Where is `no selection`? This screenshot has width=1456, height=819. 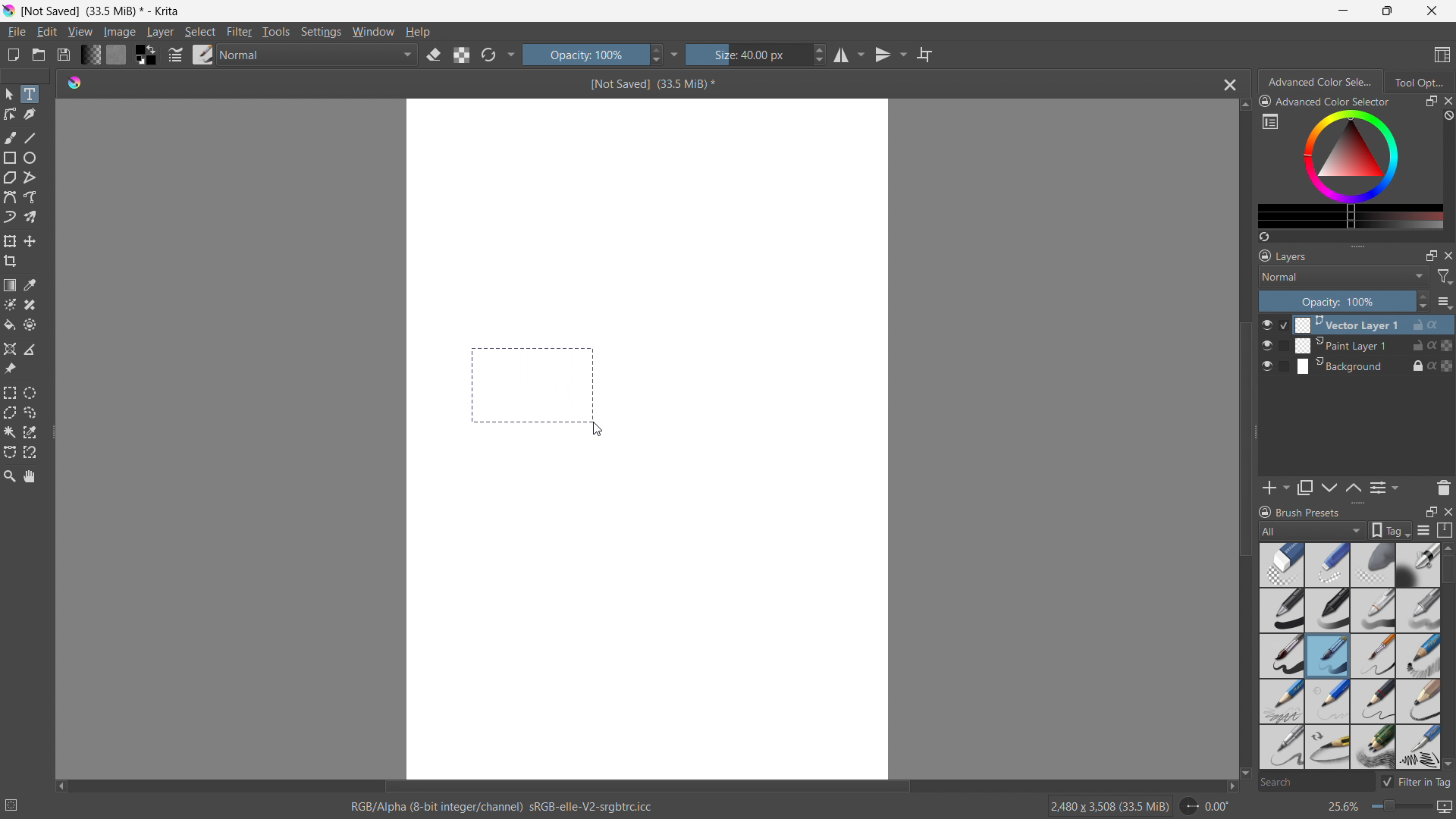
no selection is located at coordinates (18, 802).